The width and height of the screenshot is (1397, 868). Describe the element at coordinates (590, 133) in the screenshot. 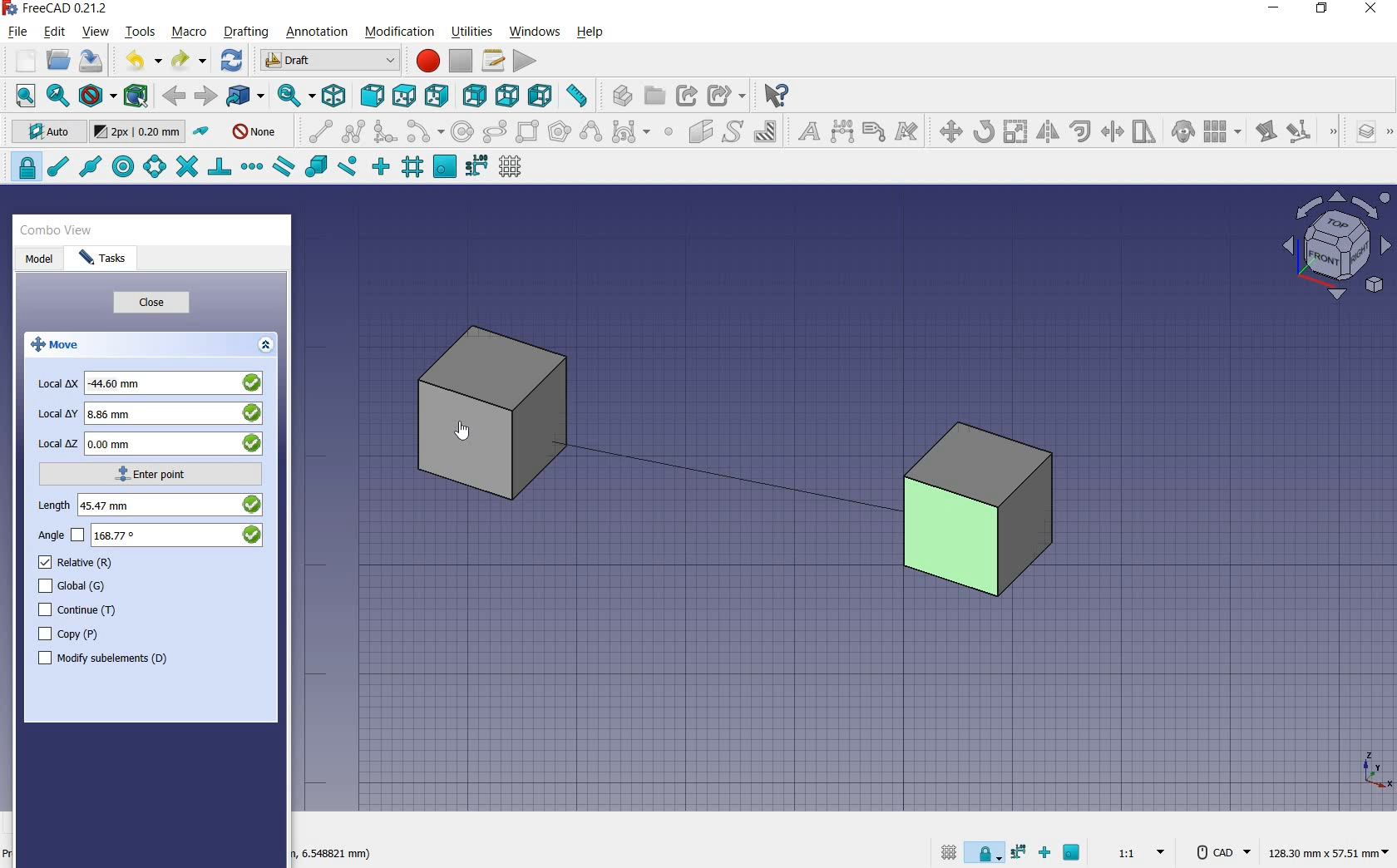

I see `B-Spline` at that location.